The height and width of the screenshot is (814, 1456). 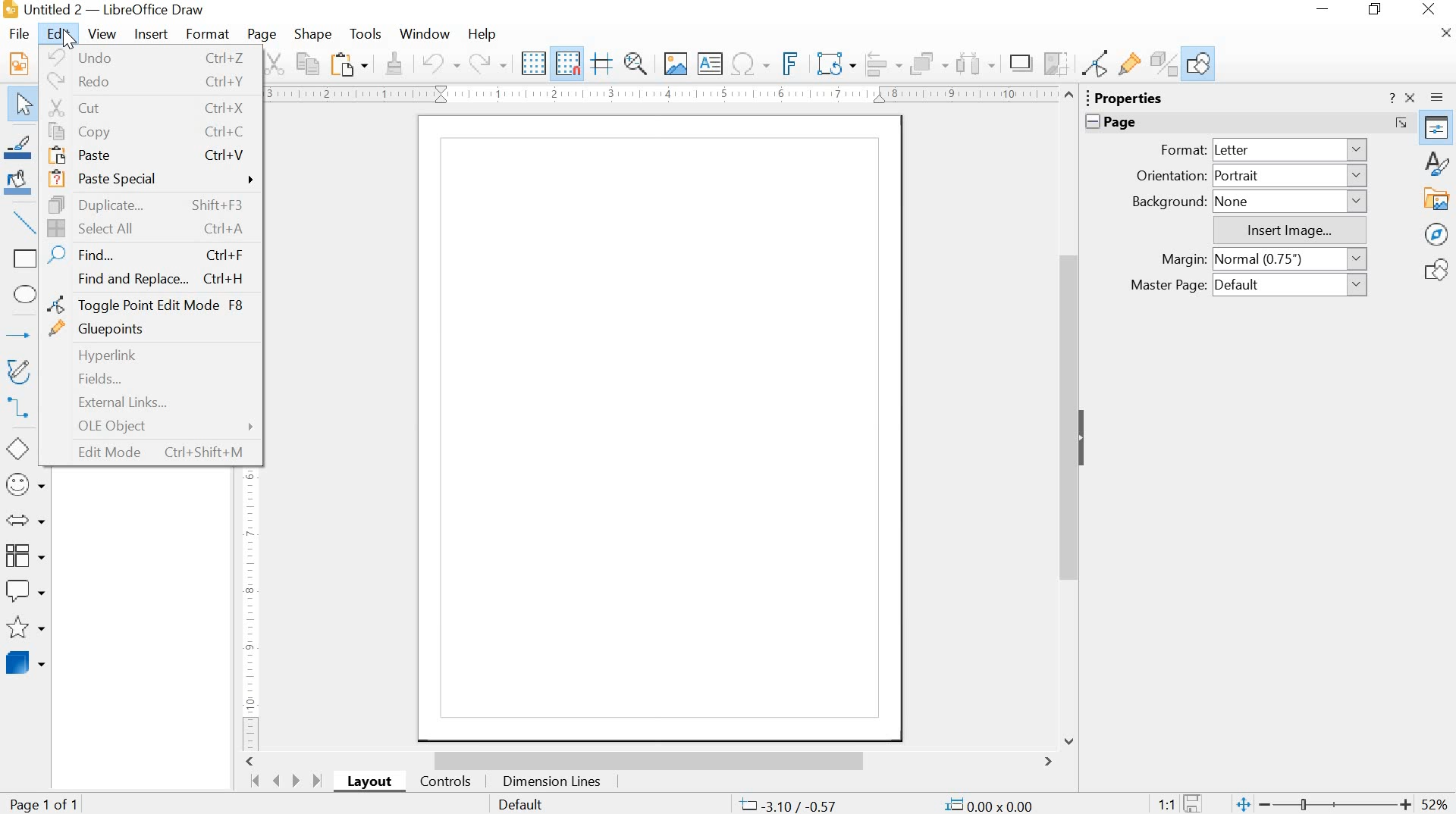 What do you see at coordinates (149, 378) in the screenshot?
I see `fields` at bounding box center [149, 378].